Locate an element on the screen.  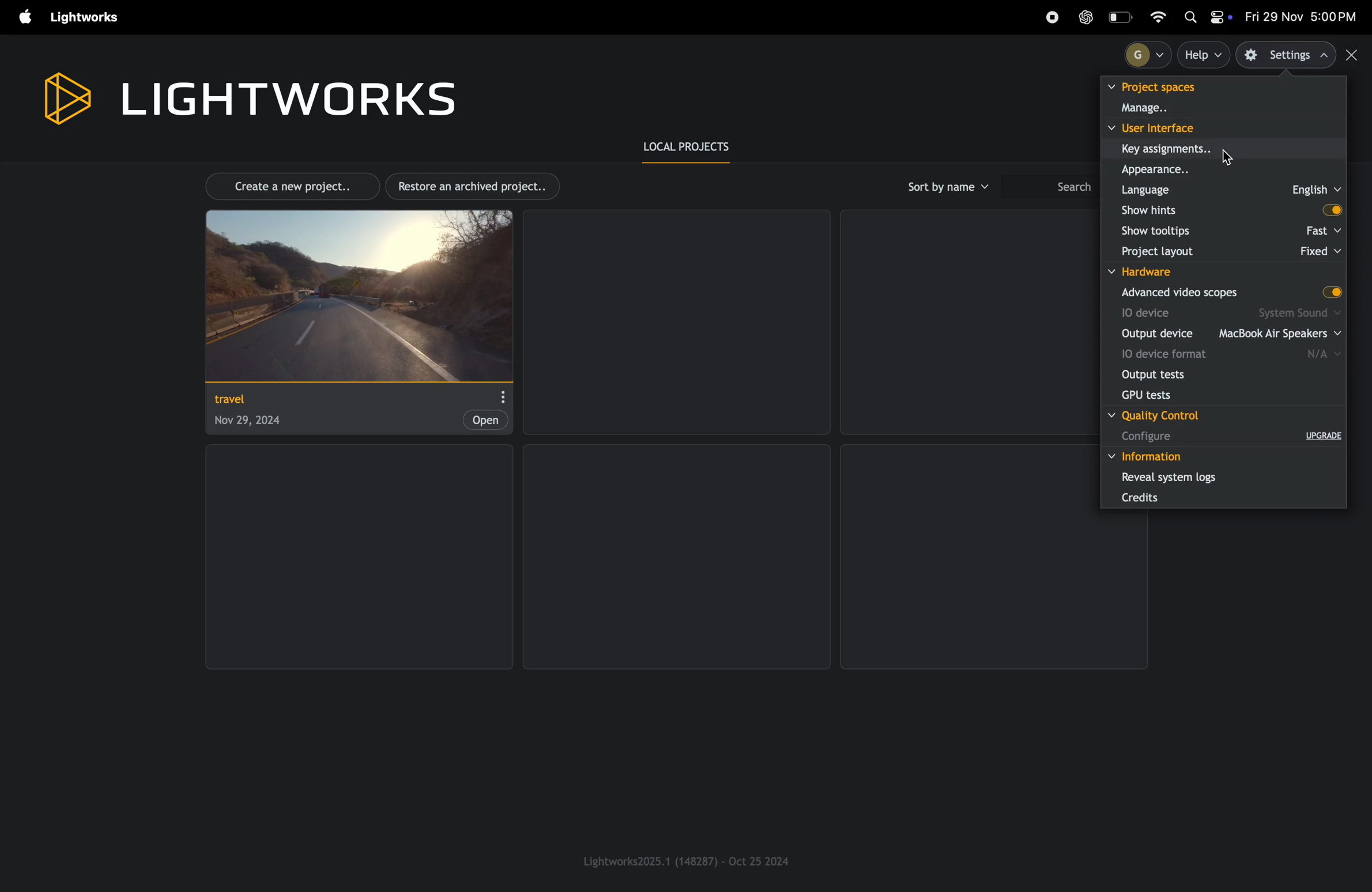
user interface is located at coordinates (1176, 128).